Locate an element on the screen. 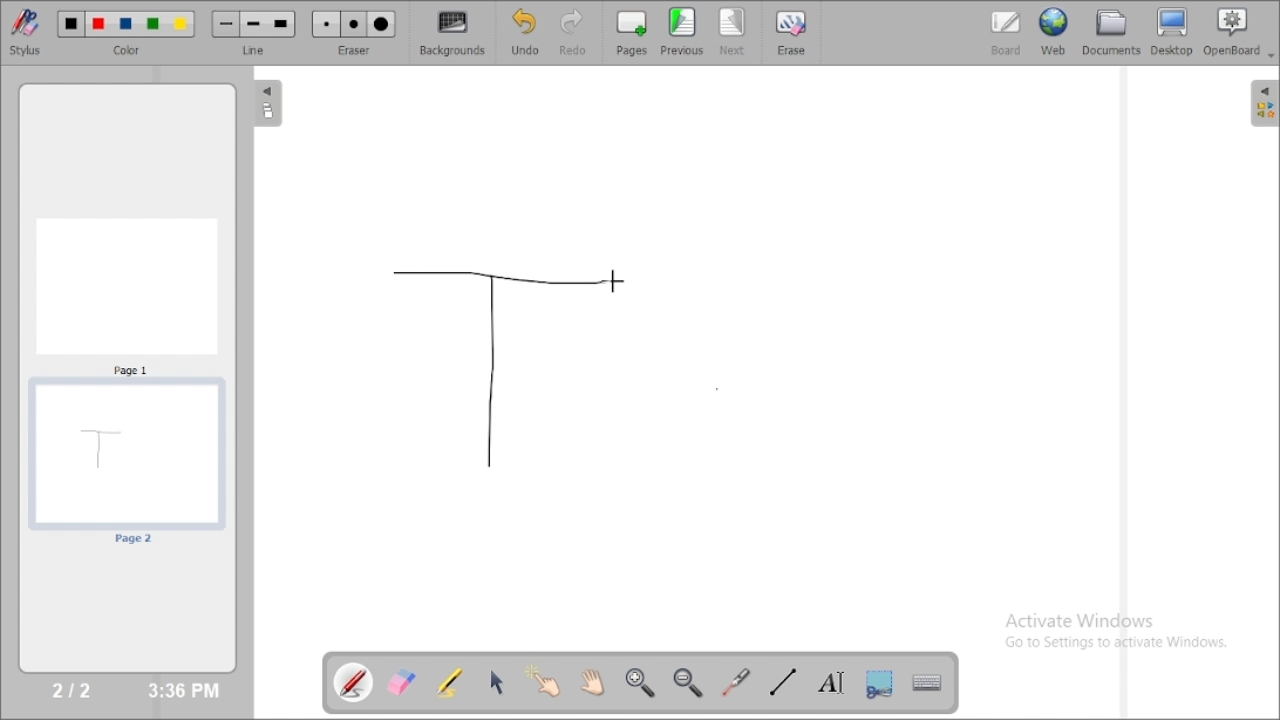 This screenshot has height=720, width=1280. stylus is located at coordinates (25, 31).